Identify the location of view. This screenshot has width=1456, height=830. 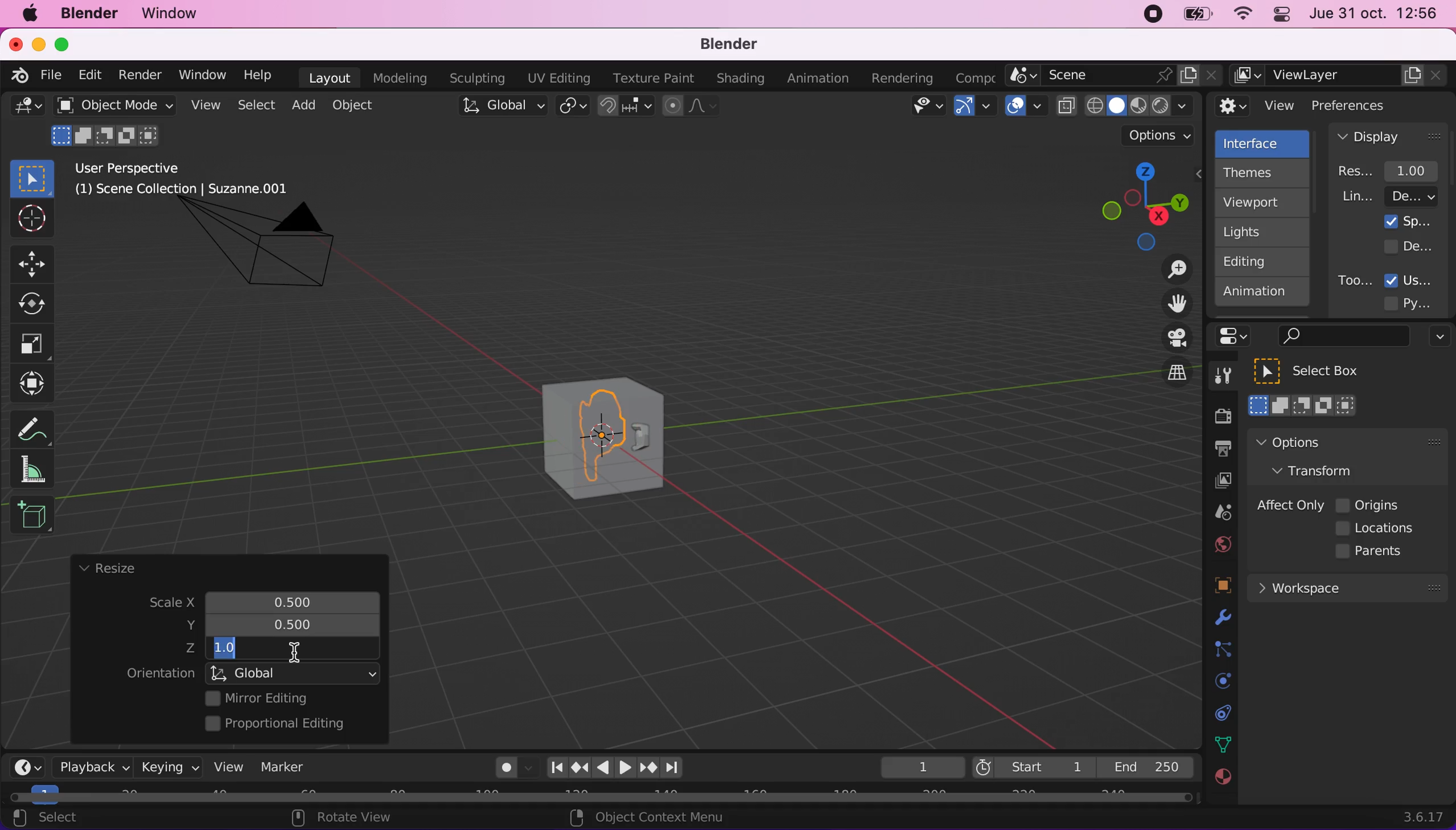
(224, 766).